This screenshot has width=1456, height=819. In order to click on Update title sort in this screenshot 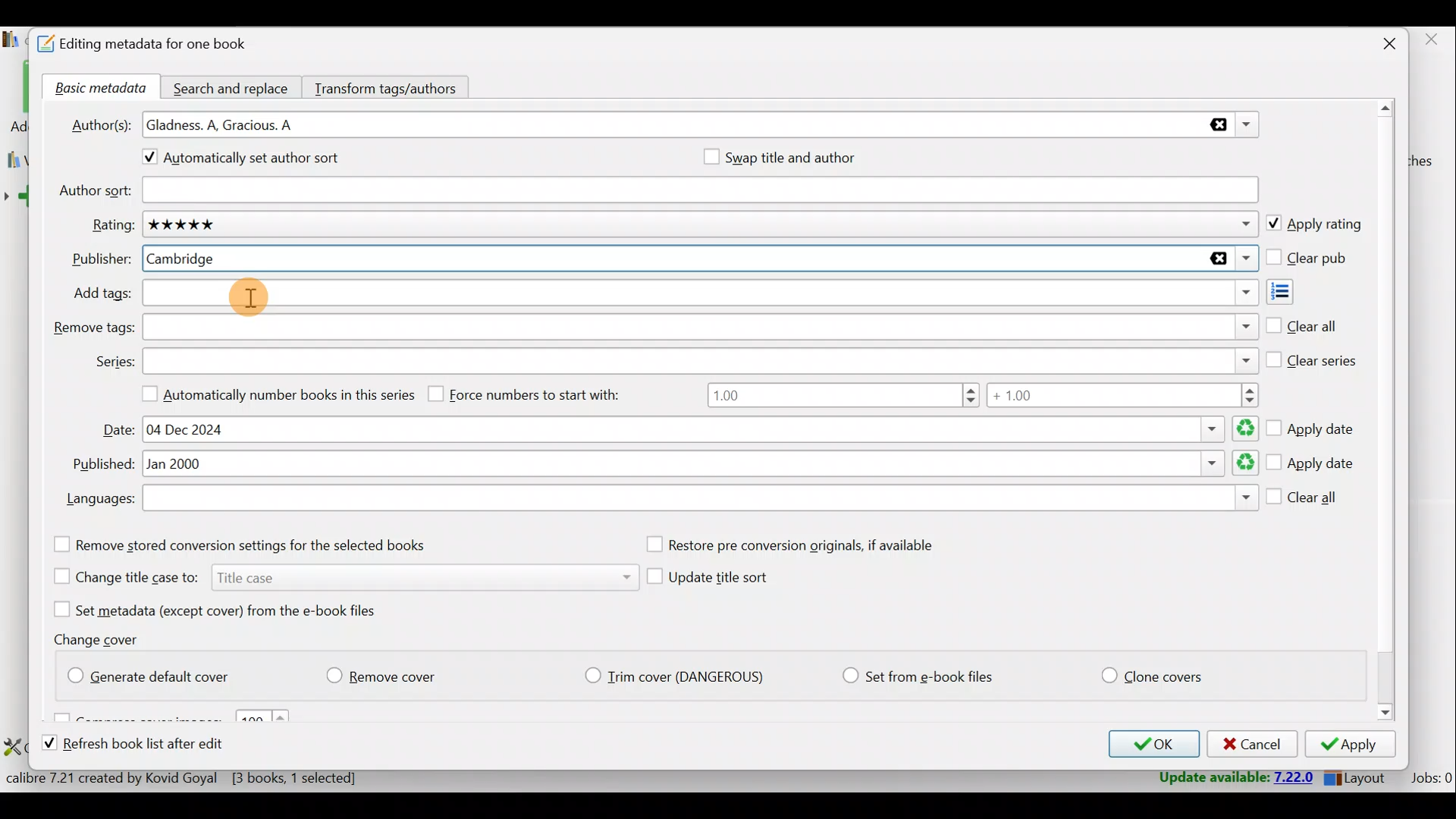, I will do `click(722, 580)`.